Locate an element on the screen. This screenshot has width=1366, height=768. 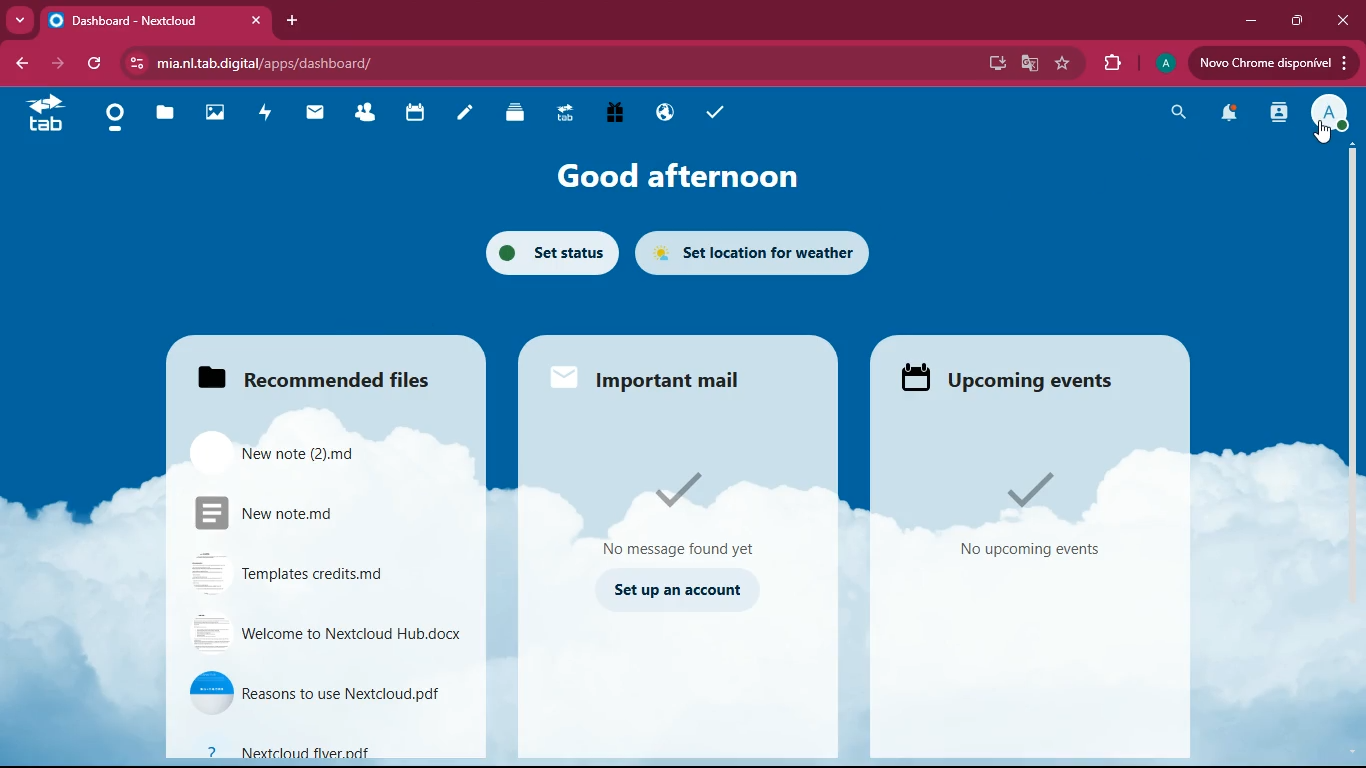
good afternoon  is located at coordinates (675, 173).